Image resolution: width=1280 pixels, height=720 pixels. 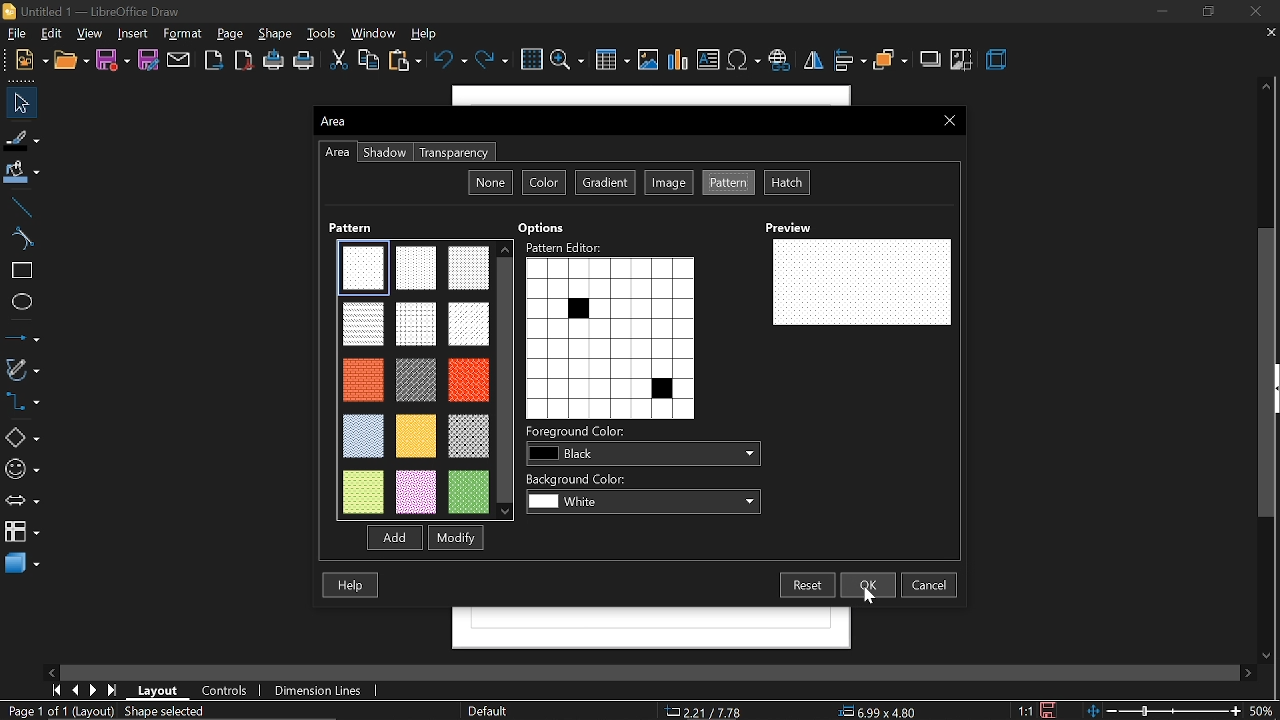 What do you see at coordinates (100, 10) in the screenshot?
I see `Title` at bounding box center [100, 10].